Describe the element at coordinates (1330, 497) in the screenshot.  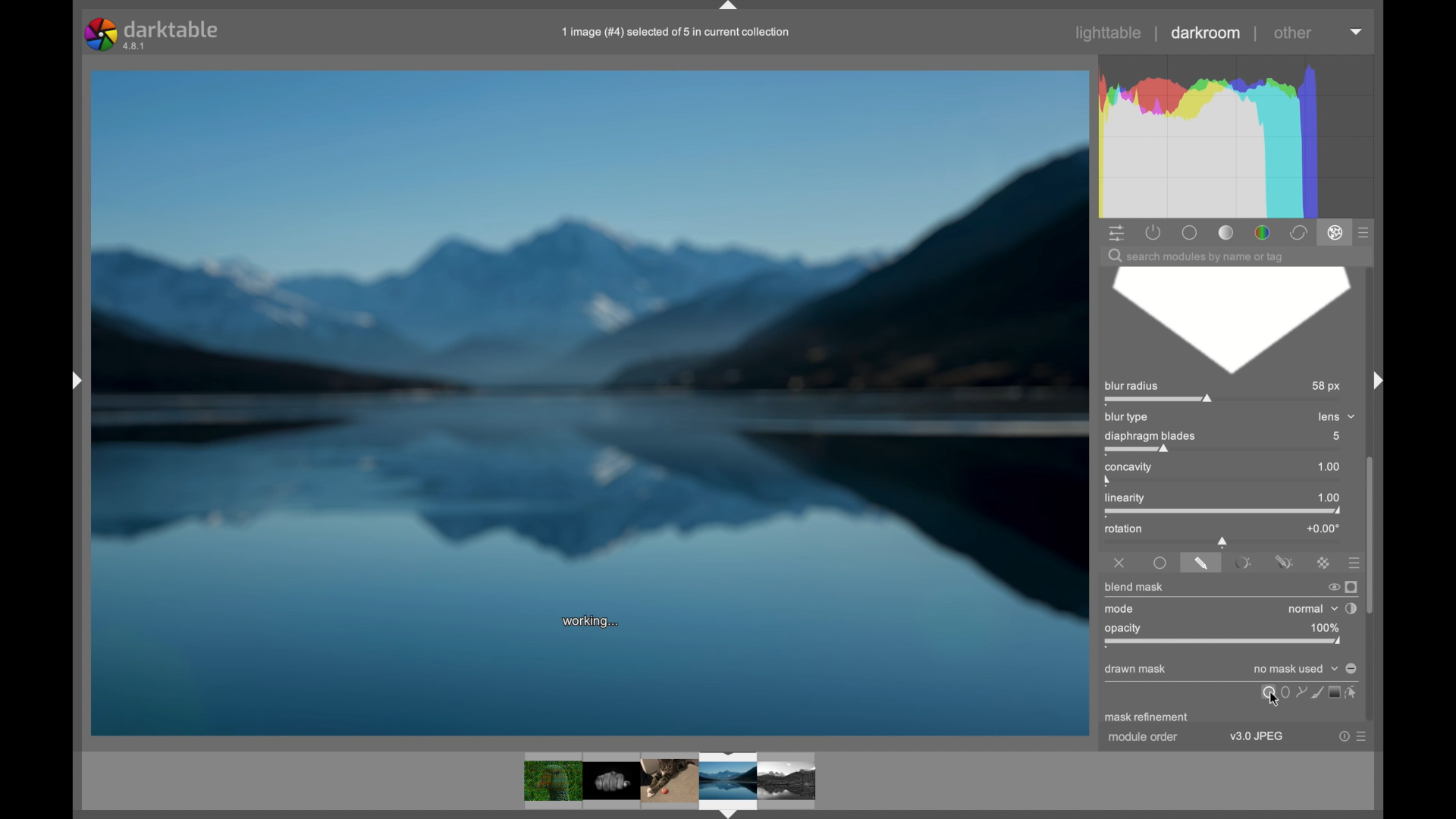
I see `1.00` at that location.